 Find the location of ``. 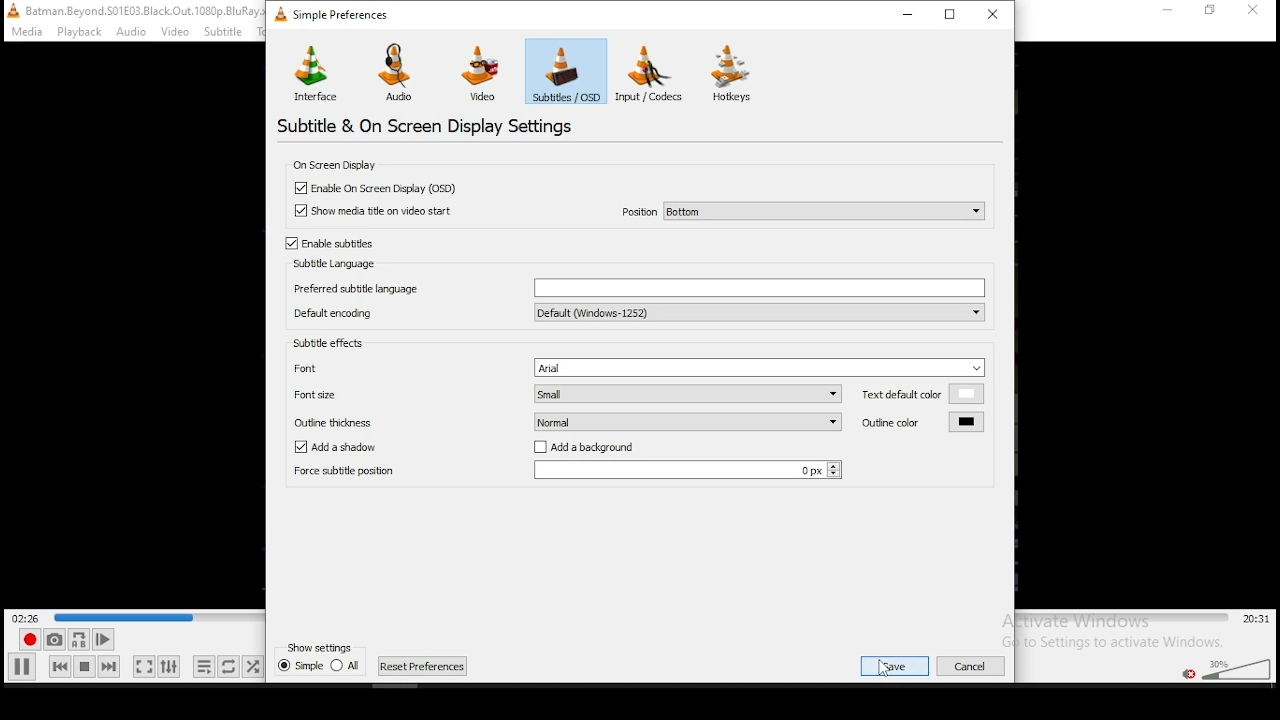

 is located at coordinates (320, 646).